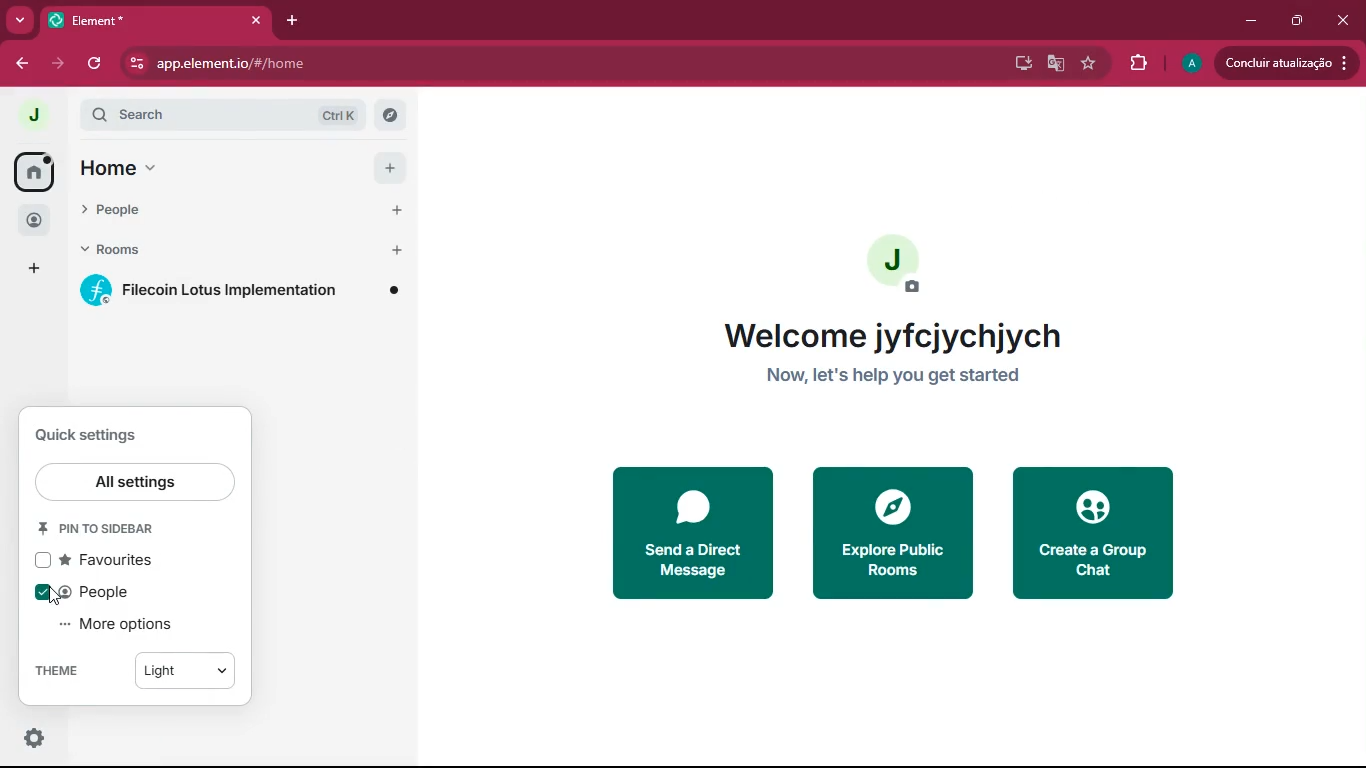 The width and height of the screenshot is (1366, 768). Describe the element at coordinates (1055, 64) in the screenshot. I see `google translate` at that location.